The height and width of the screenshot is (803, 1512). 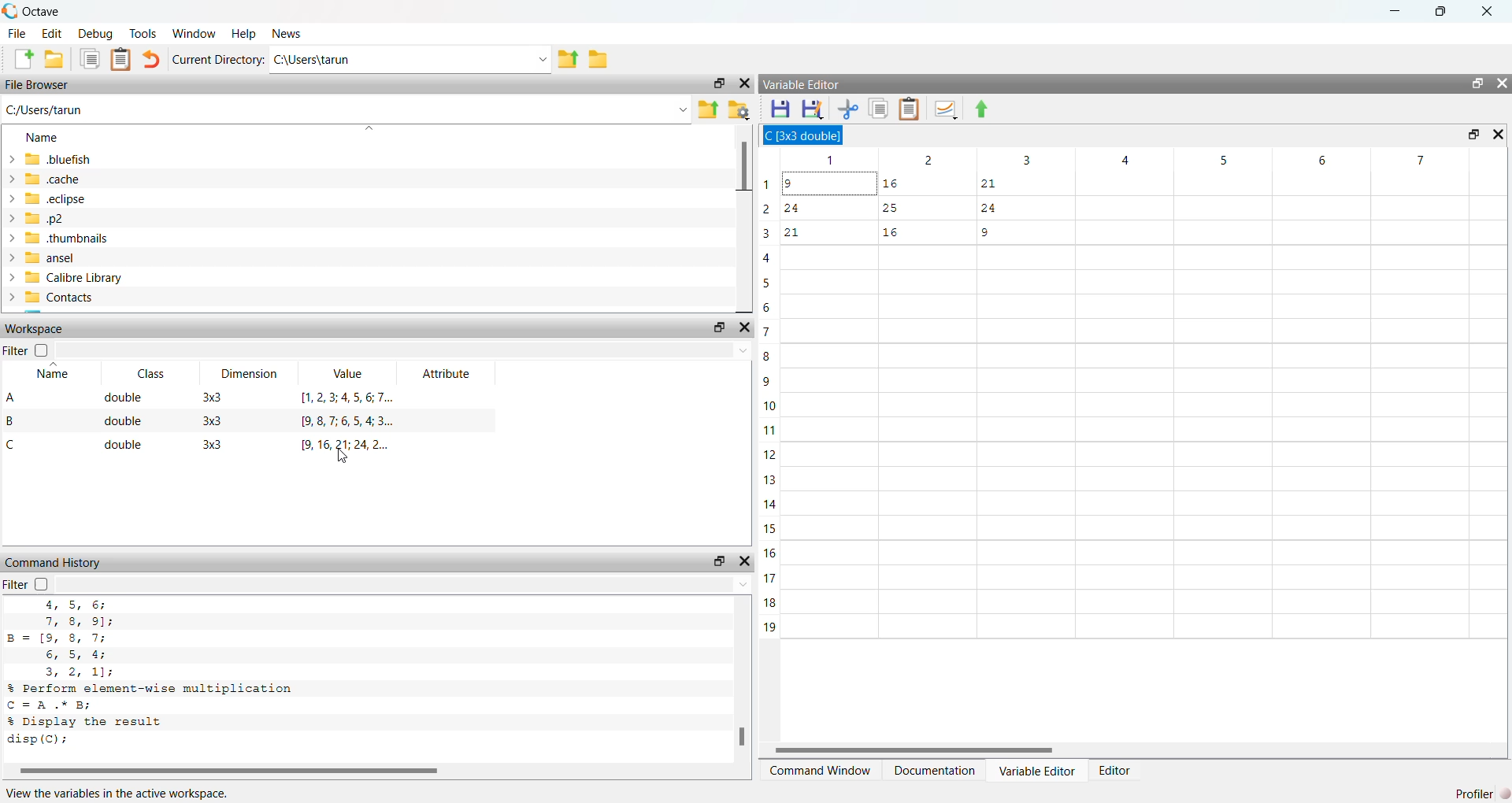 I want to click on Class, so click(x=153, y=373).